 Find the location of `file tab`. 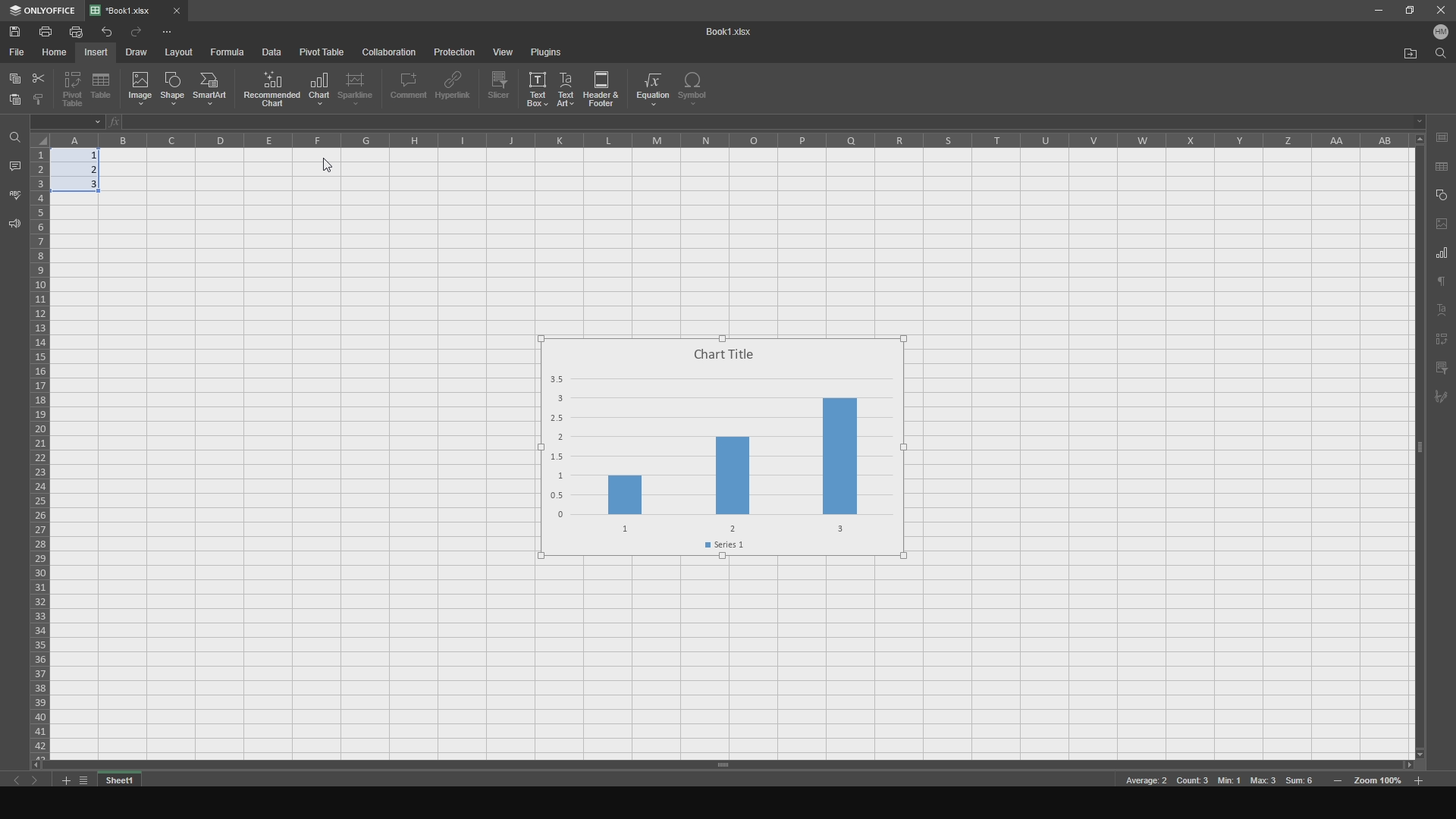

file tab is located at coordinates (154, 9).